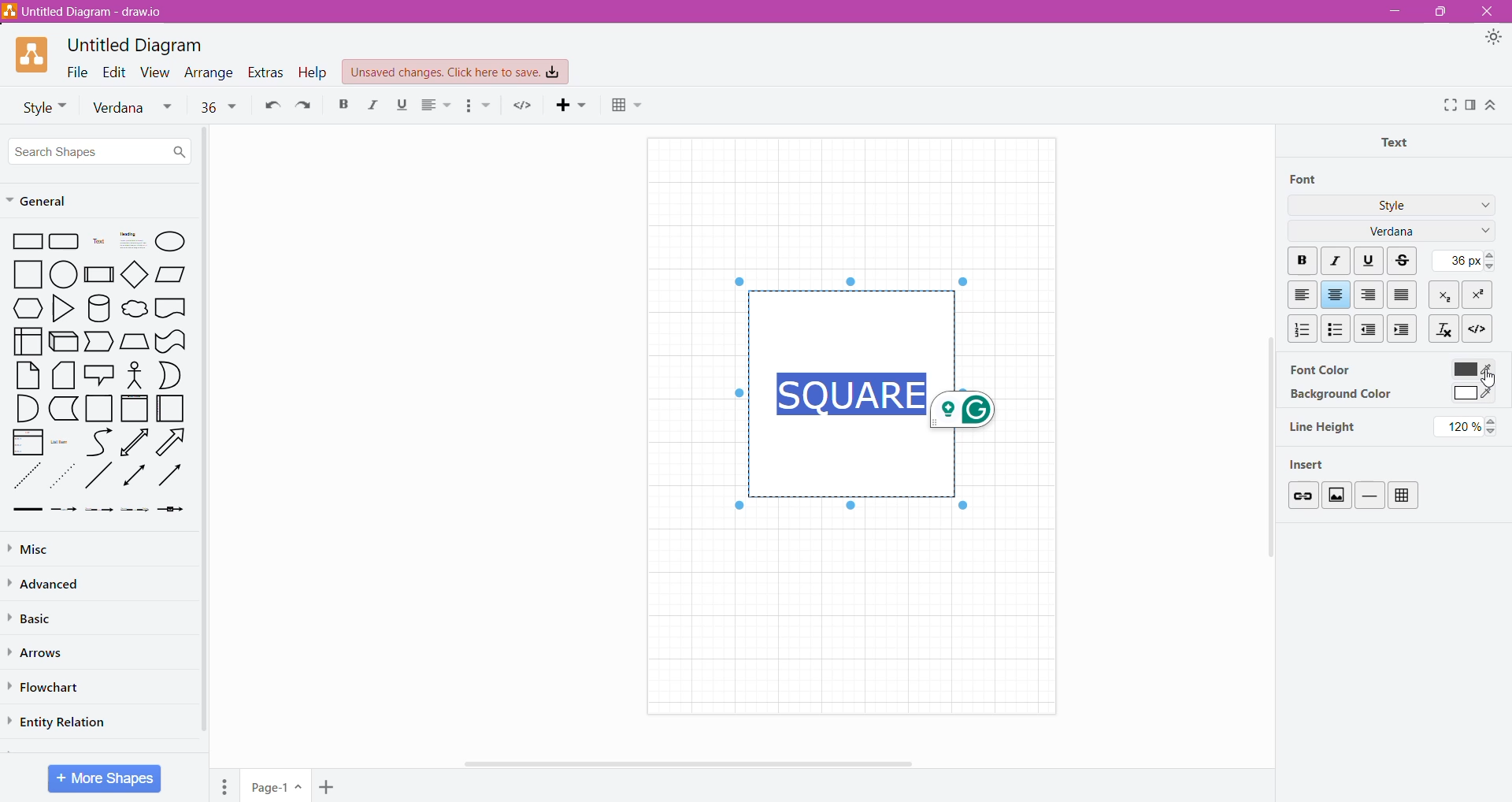 The height and width of the screenshot is (802, 1512). Describe the element at coordinates (26, 442) in the screenshot. I see `List Box` at that location.